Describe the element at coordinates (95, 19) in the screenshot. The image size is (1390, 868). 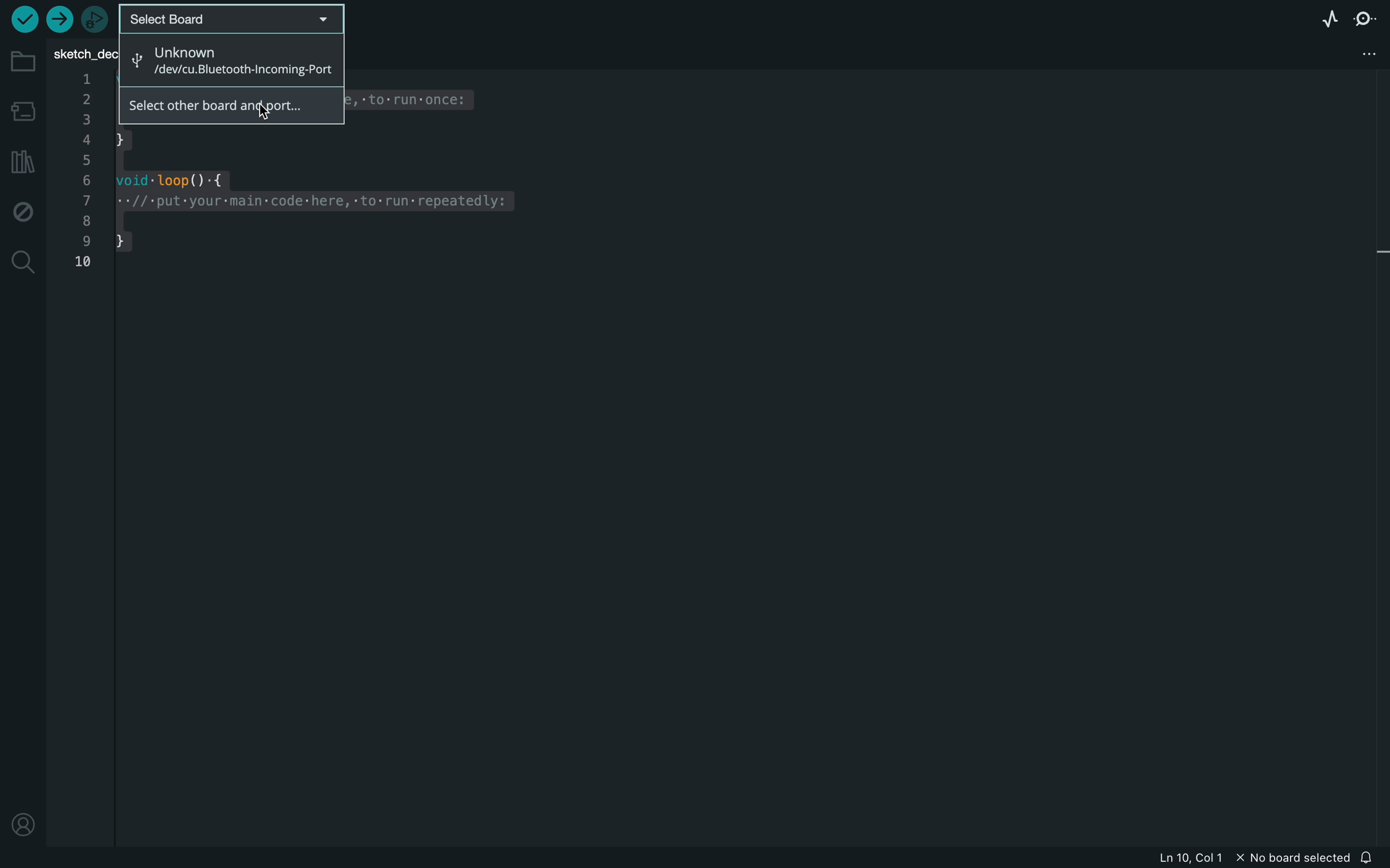
I see `debugger` at that location.